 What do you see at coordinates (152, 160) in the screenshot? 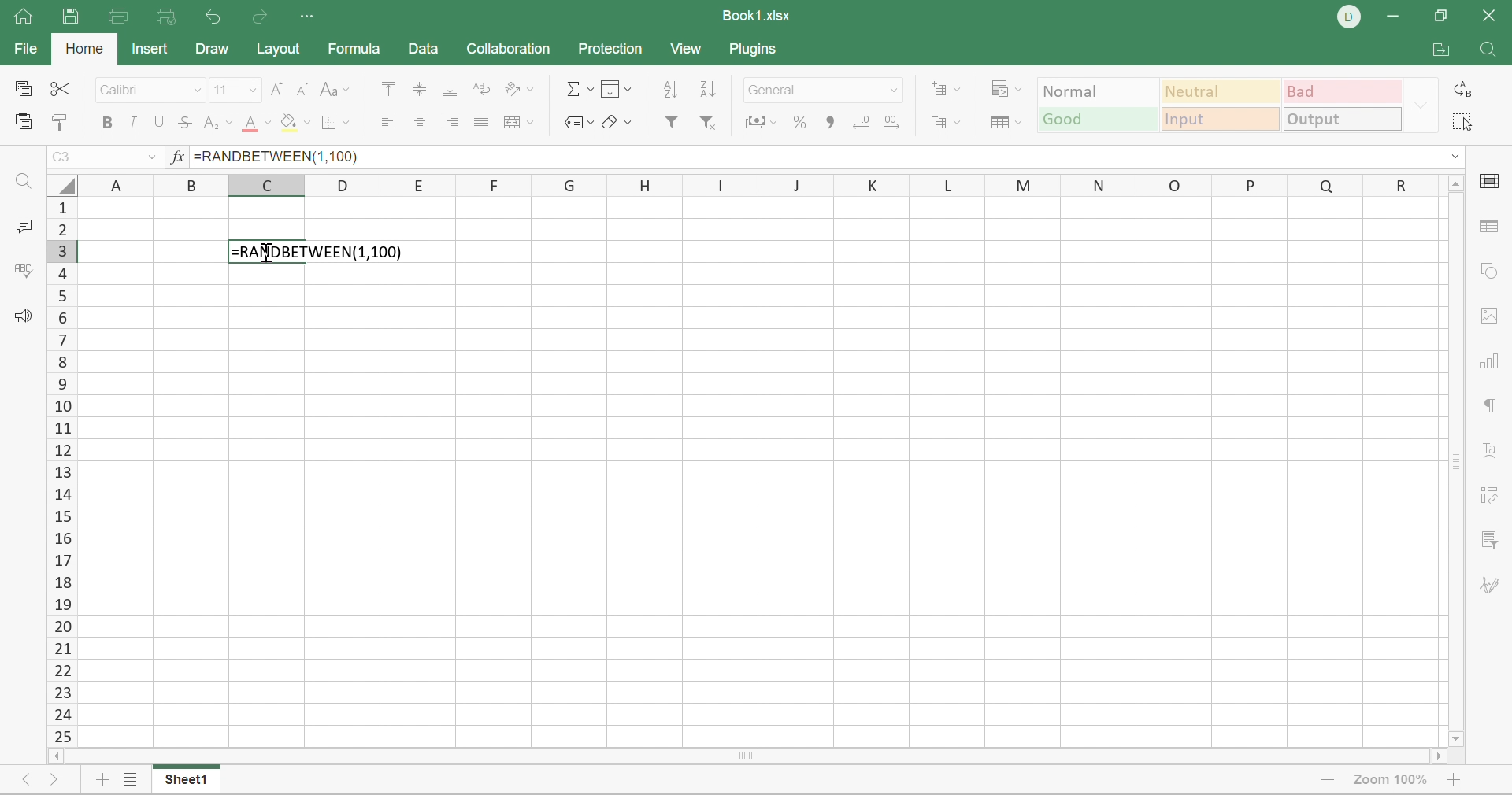
I see `Drop Down` at bounding box center [152, 160].